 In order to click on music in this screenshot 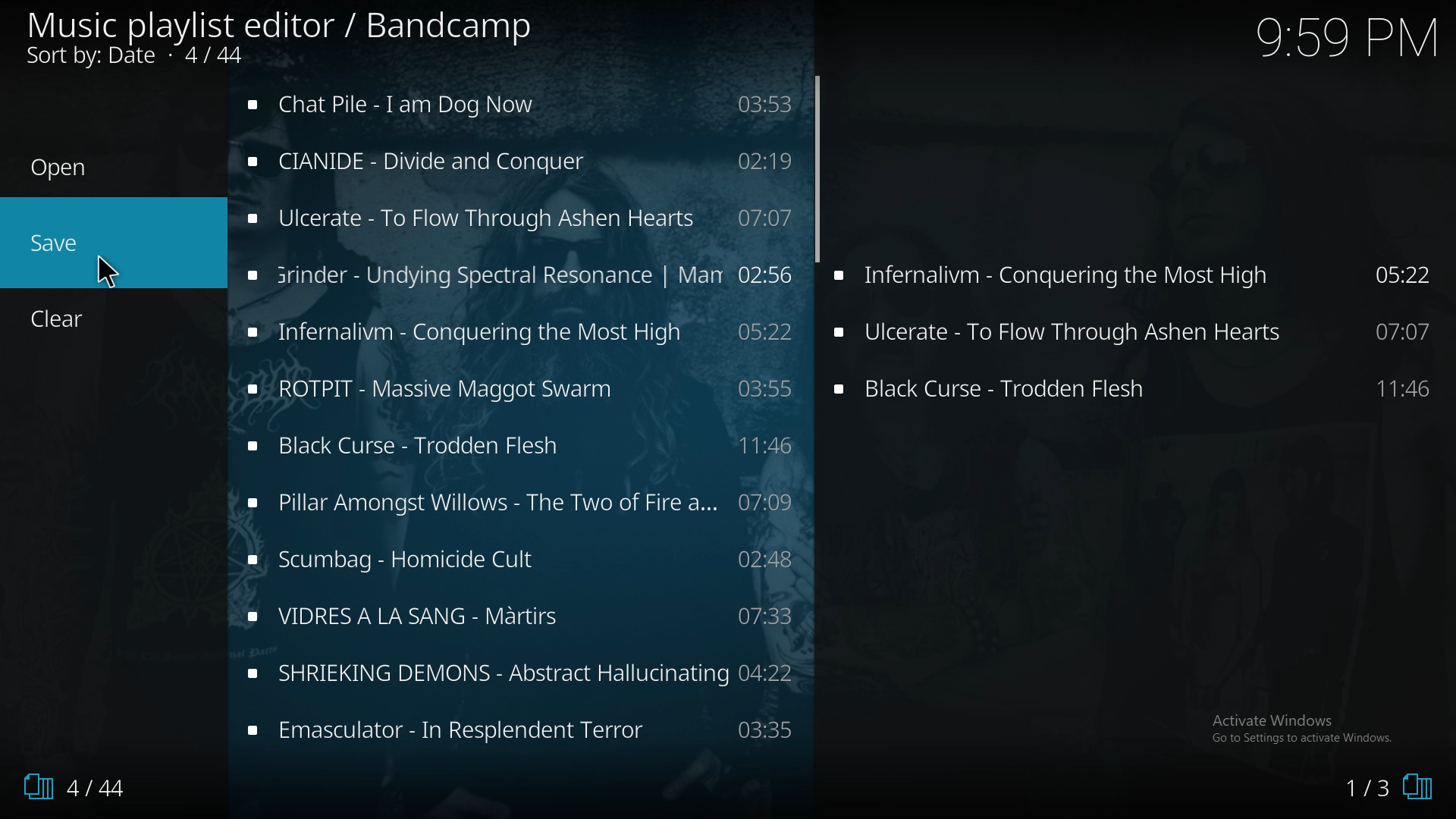, I will do `click(524, 671)`.